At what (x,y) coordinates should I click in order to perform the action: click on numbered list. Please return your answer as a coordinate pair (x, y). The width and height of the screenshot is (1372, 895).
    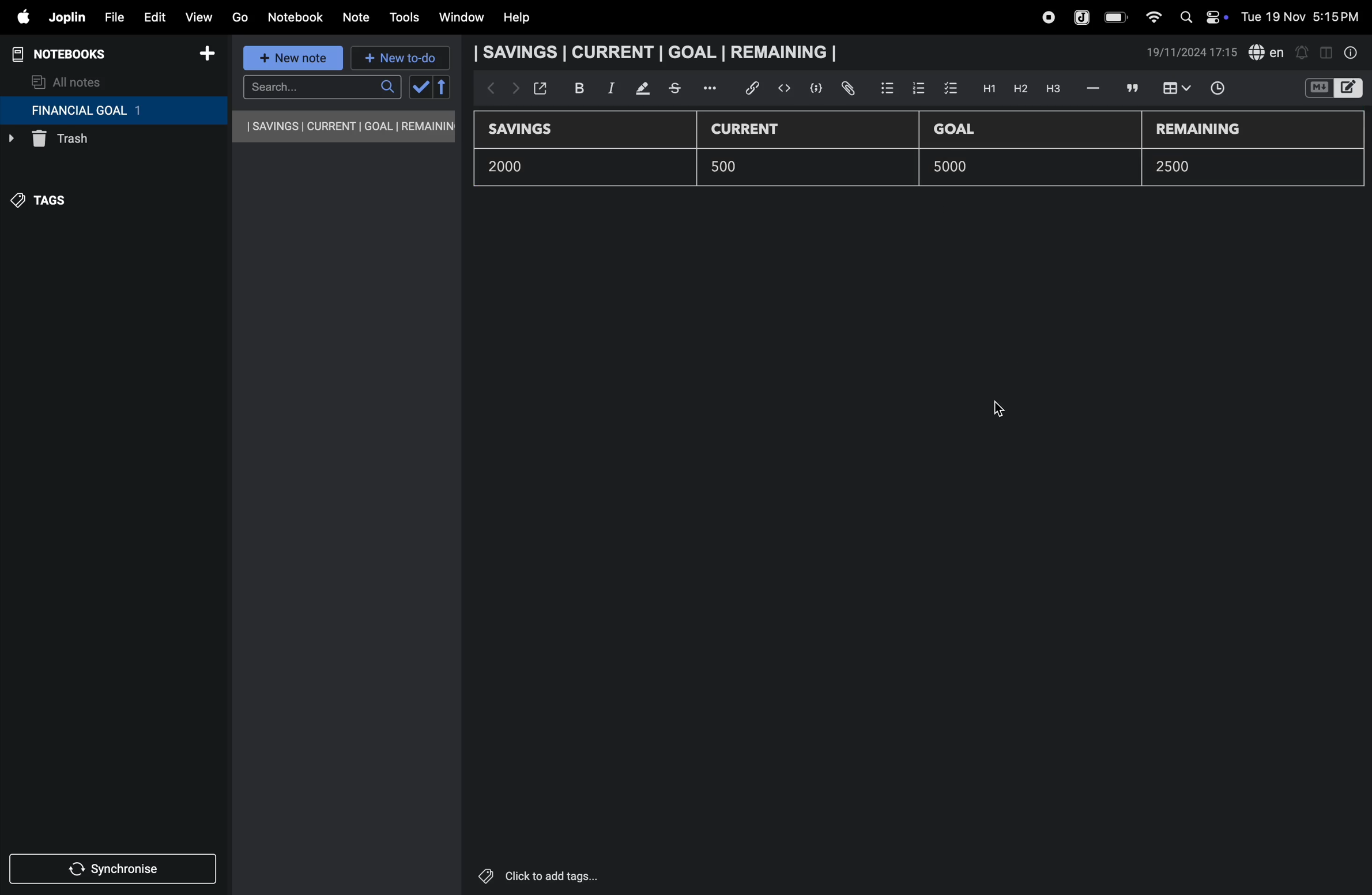
    Looking at the image, I should click on (918, 88).